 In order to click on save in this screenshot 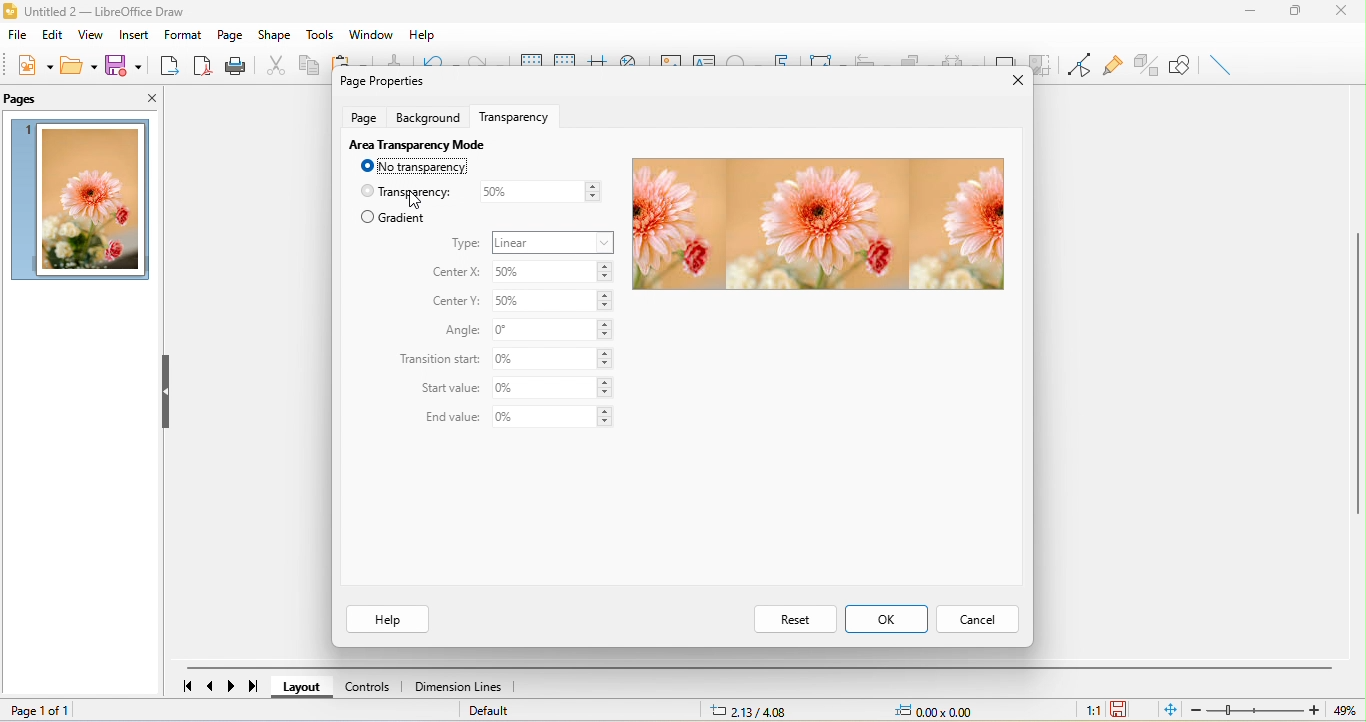, I will do `click(122, 64)`.